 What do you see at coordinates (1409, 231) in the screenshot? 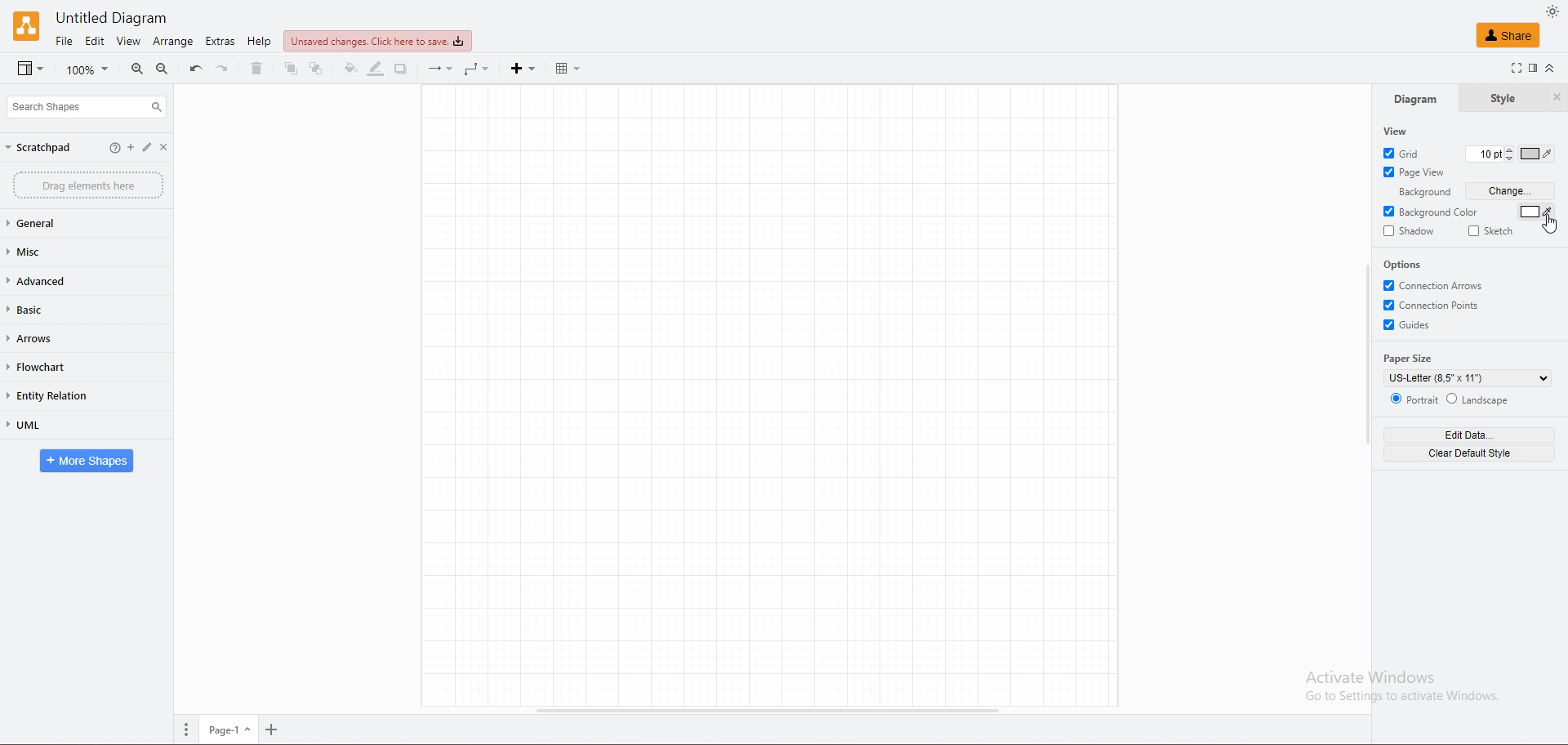
I see `shadow` at bounding box center [1409, 231].